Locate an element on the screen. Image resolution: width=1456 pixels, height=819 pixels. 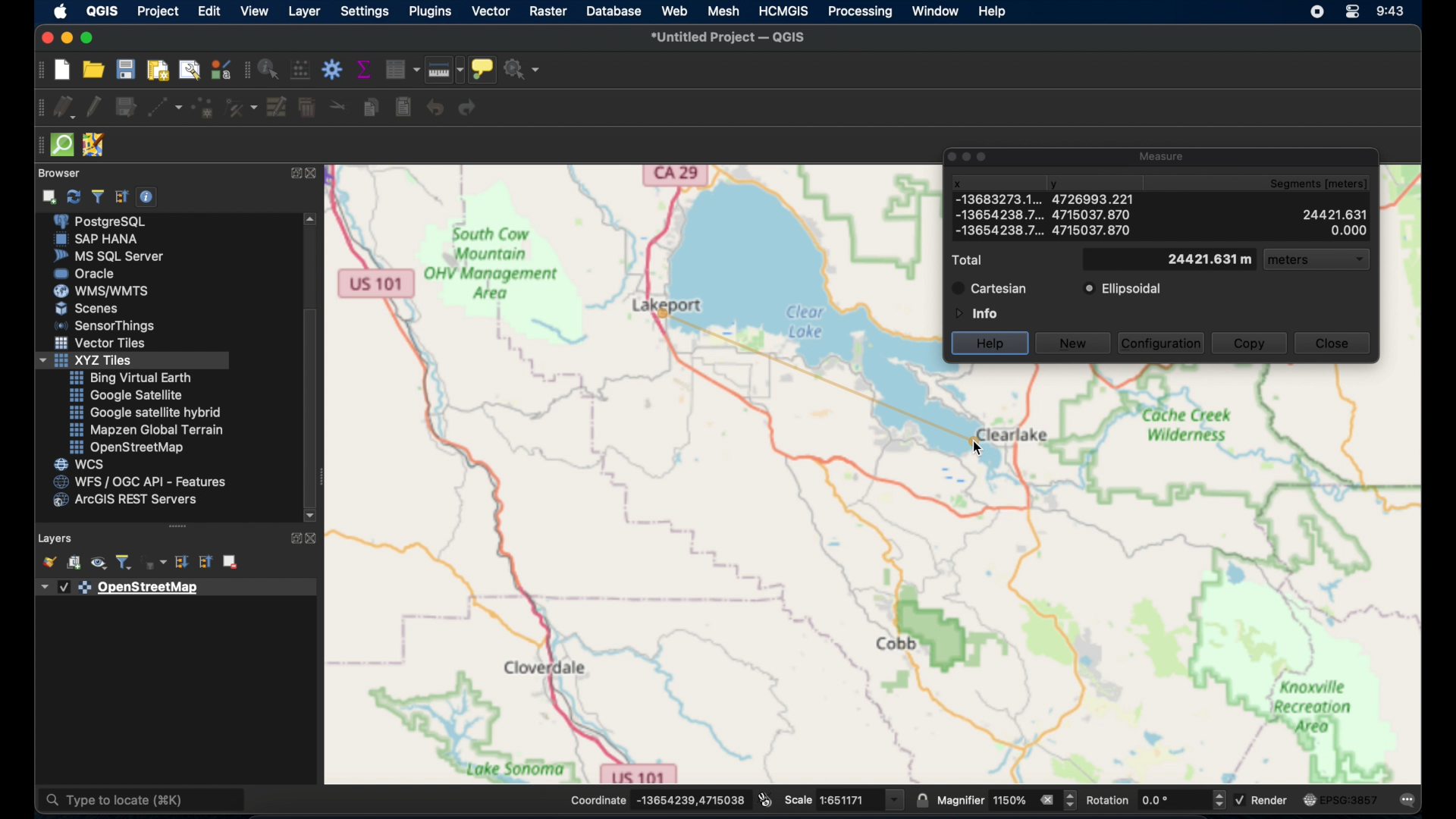
project is located at coordinates (158, 10).